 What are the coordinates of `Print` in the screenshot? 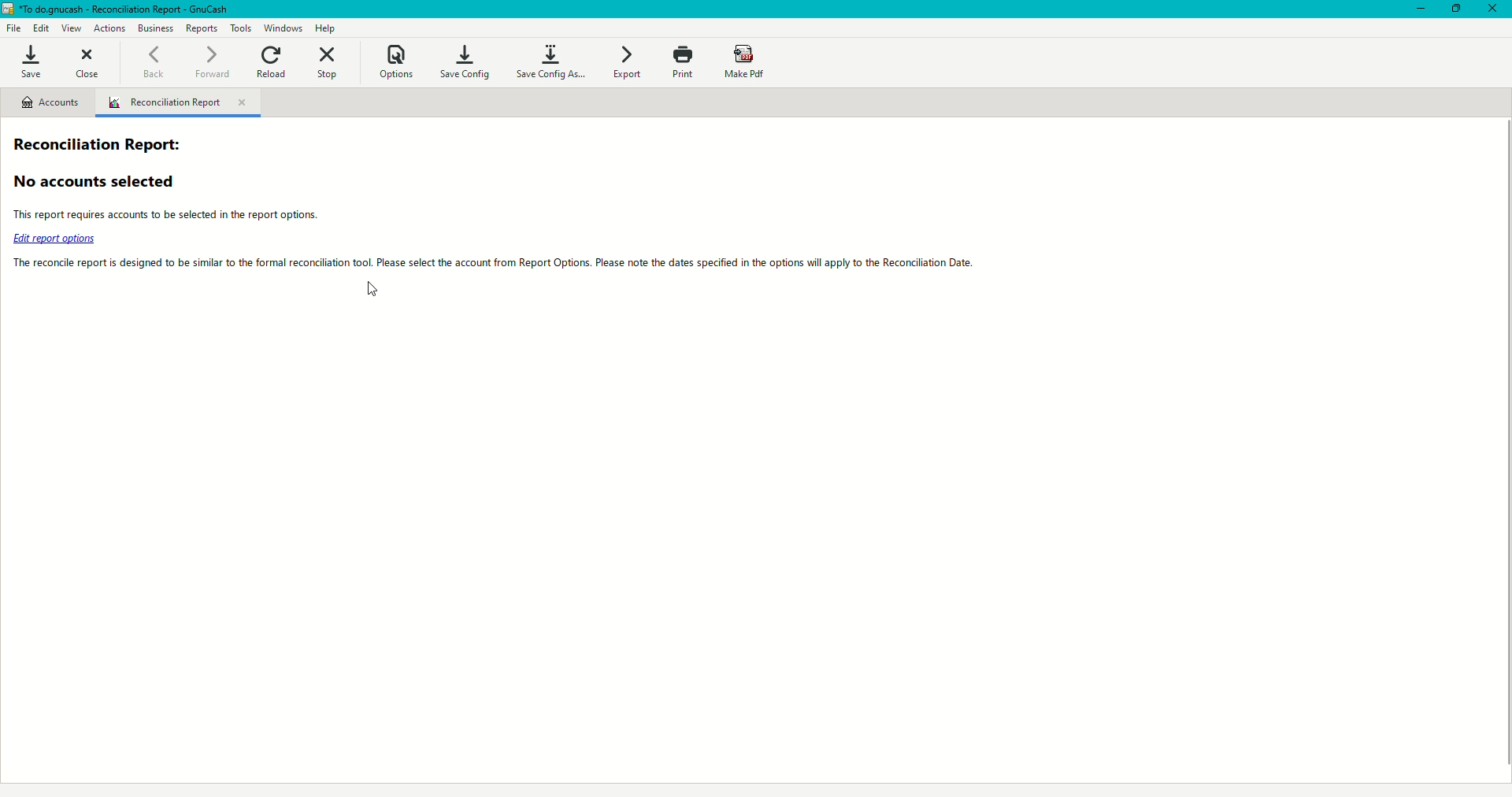 It's located at (684, 66).